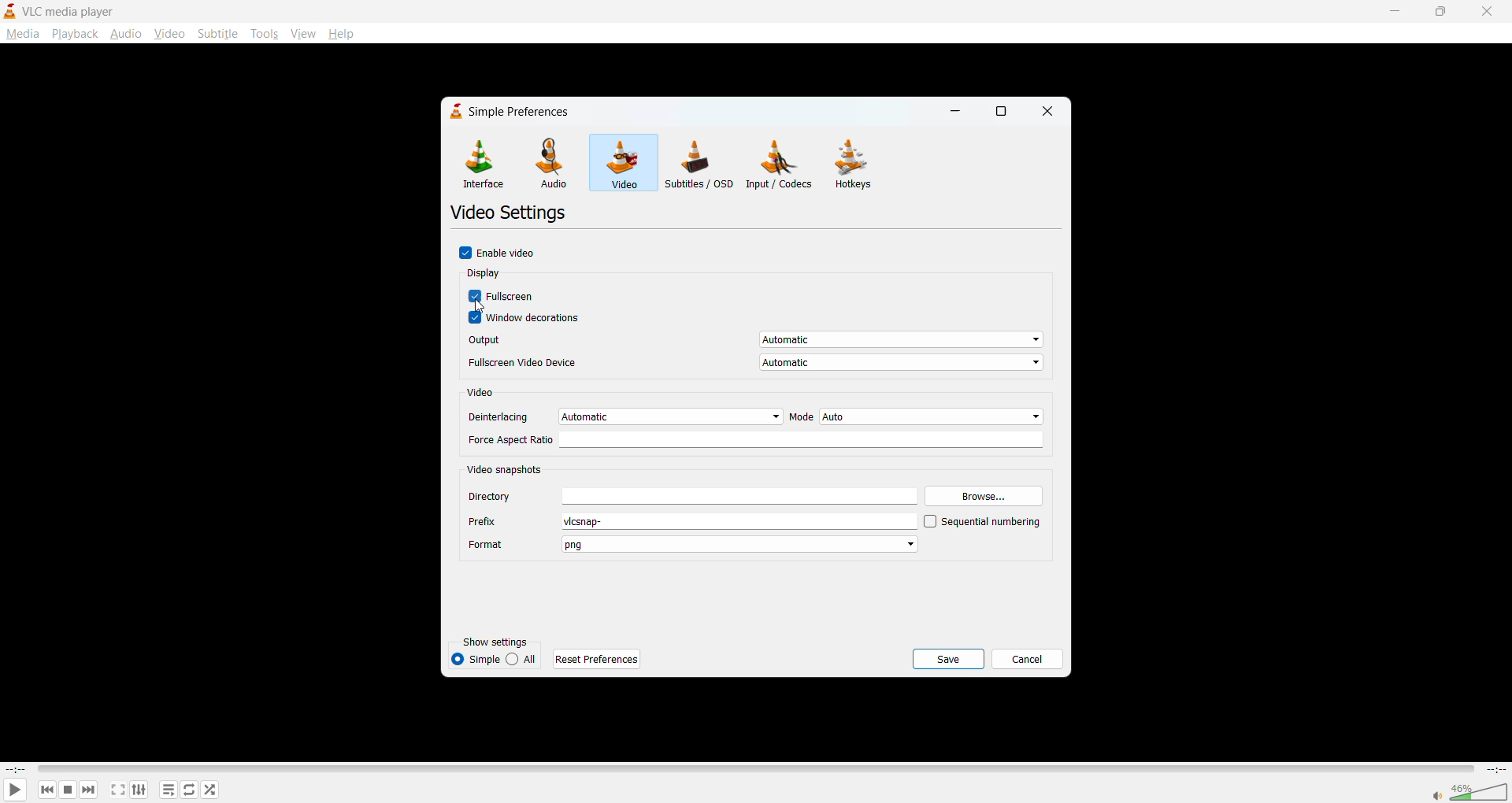  Describe the element at coordinates (948, 658) in the screenshot. I see `save` at that location.